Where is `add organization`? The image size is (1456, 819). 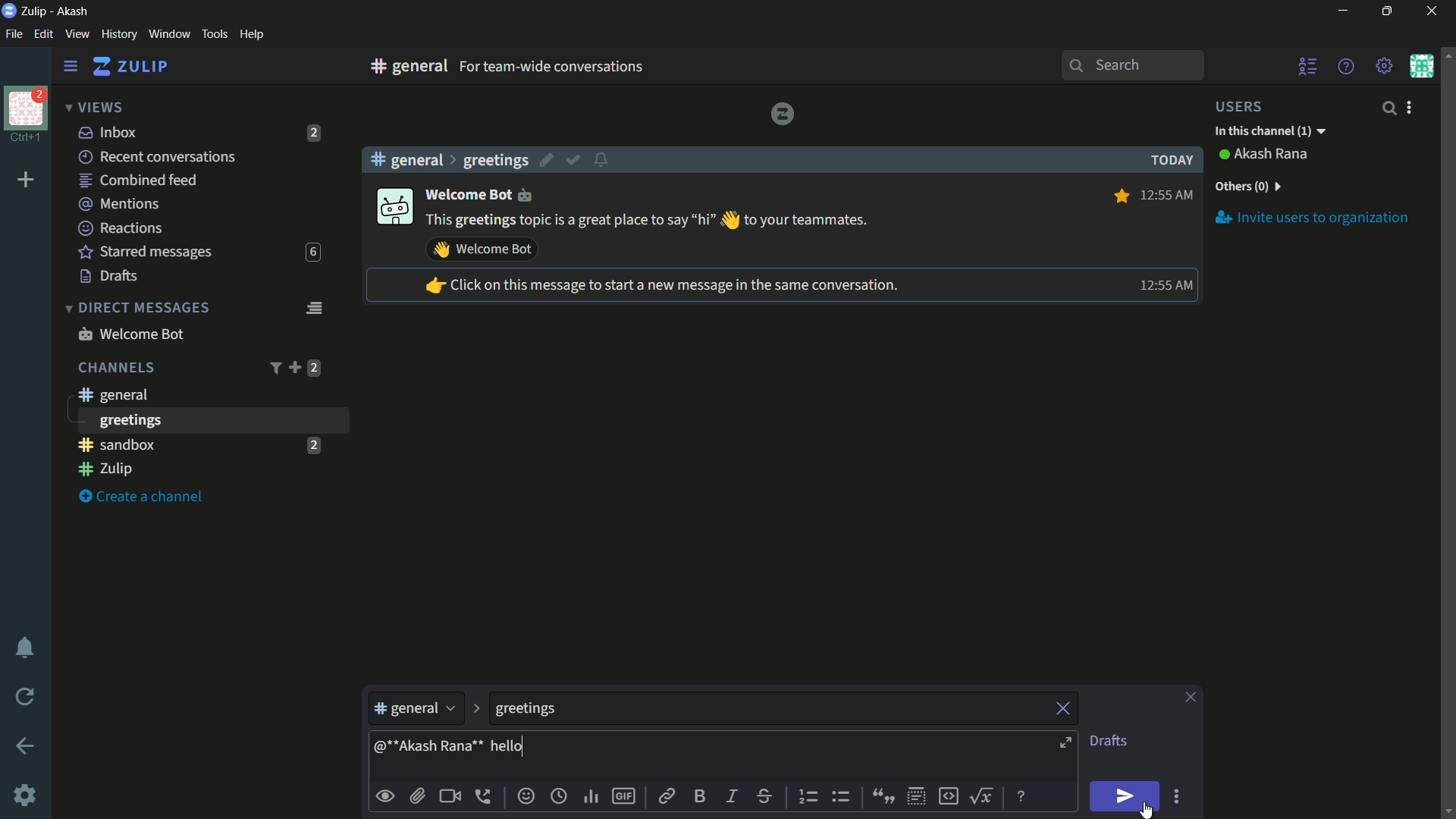
add organization is located at coordinates (27, 180).